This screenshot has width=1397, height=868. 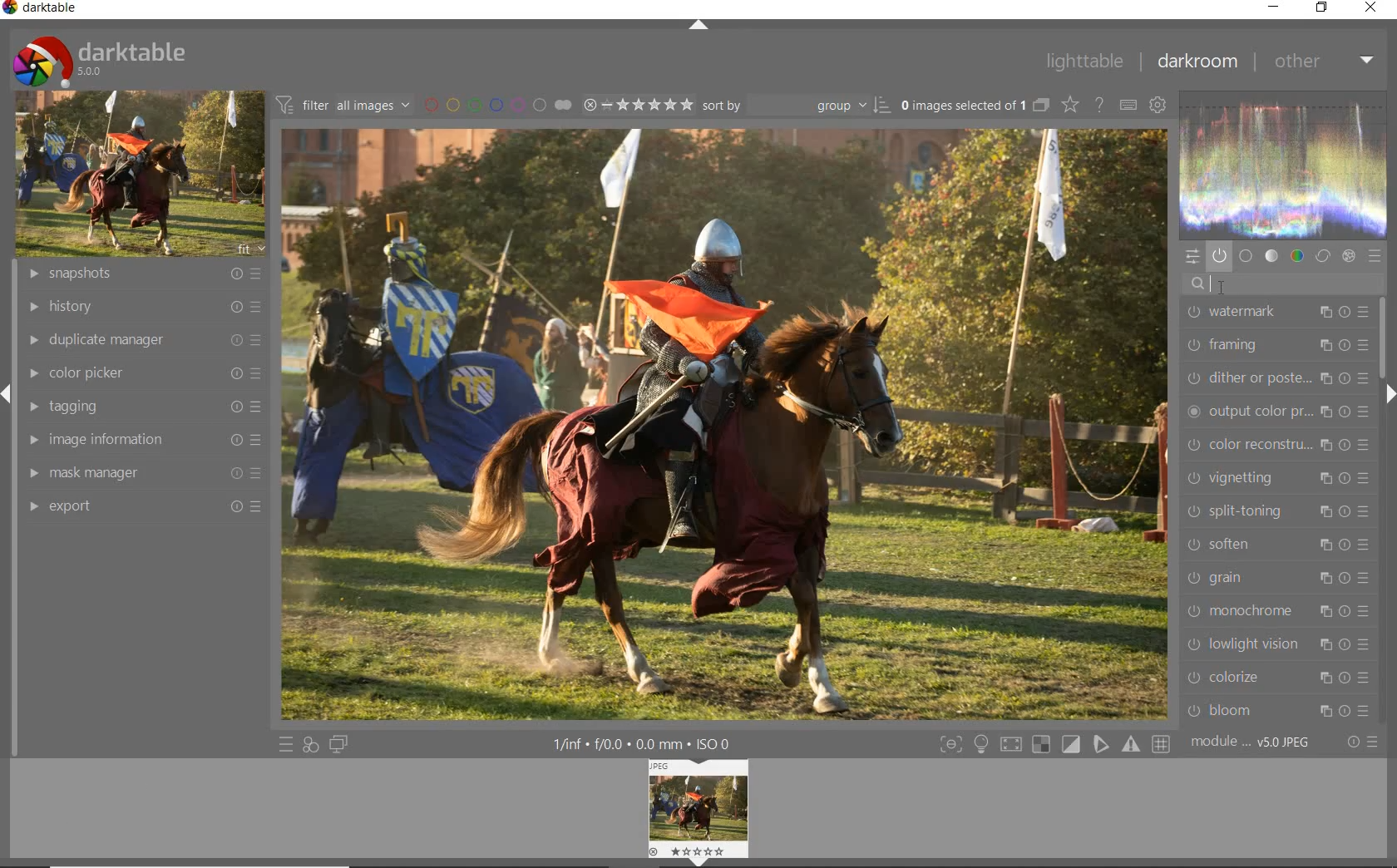 I want to click on define keyboard shortcuts, so click(x=1128, y=106).